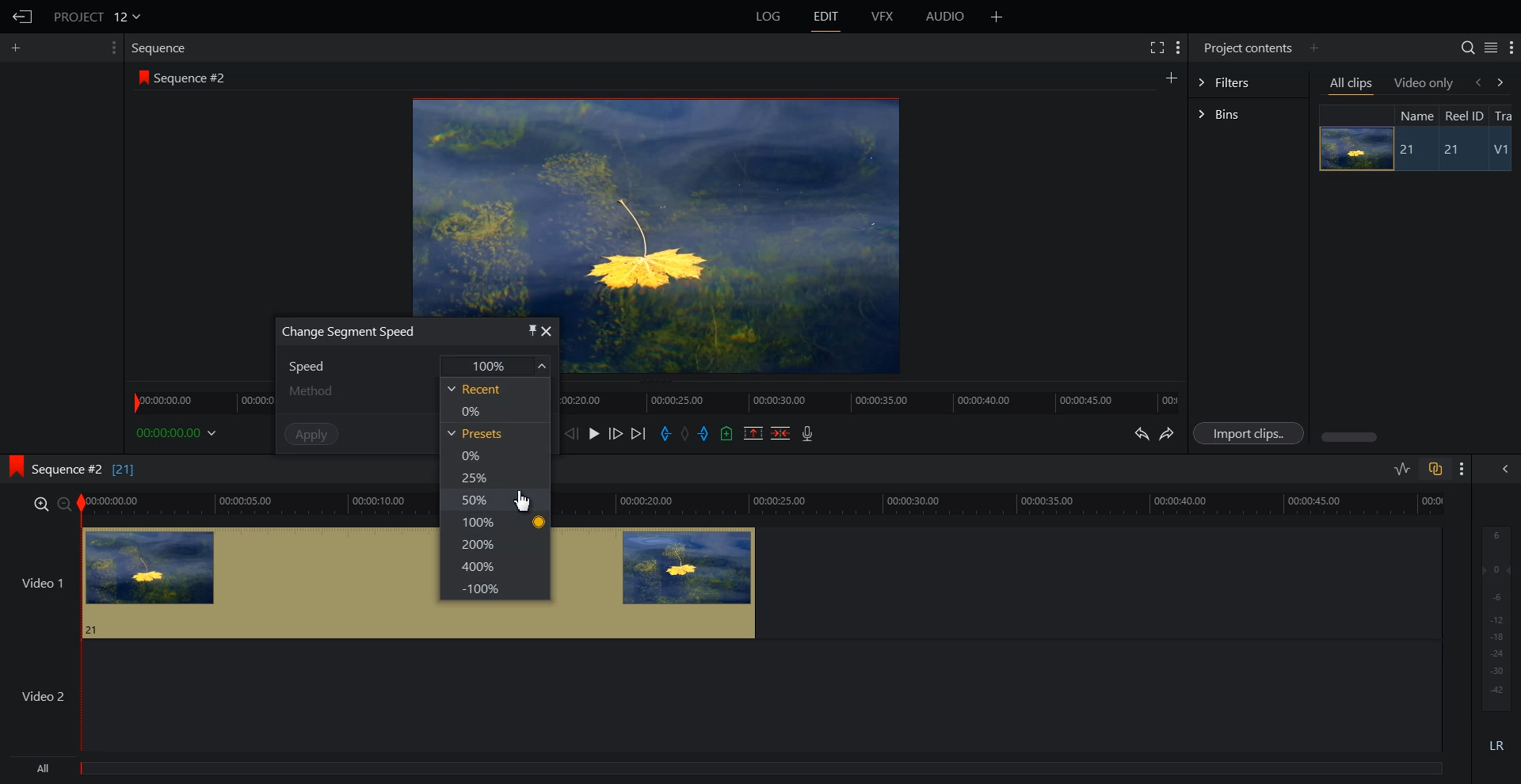 The height and width of the screenshot is (784, 1521). I want to click on Add panel, so click(997, 17).